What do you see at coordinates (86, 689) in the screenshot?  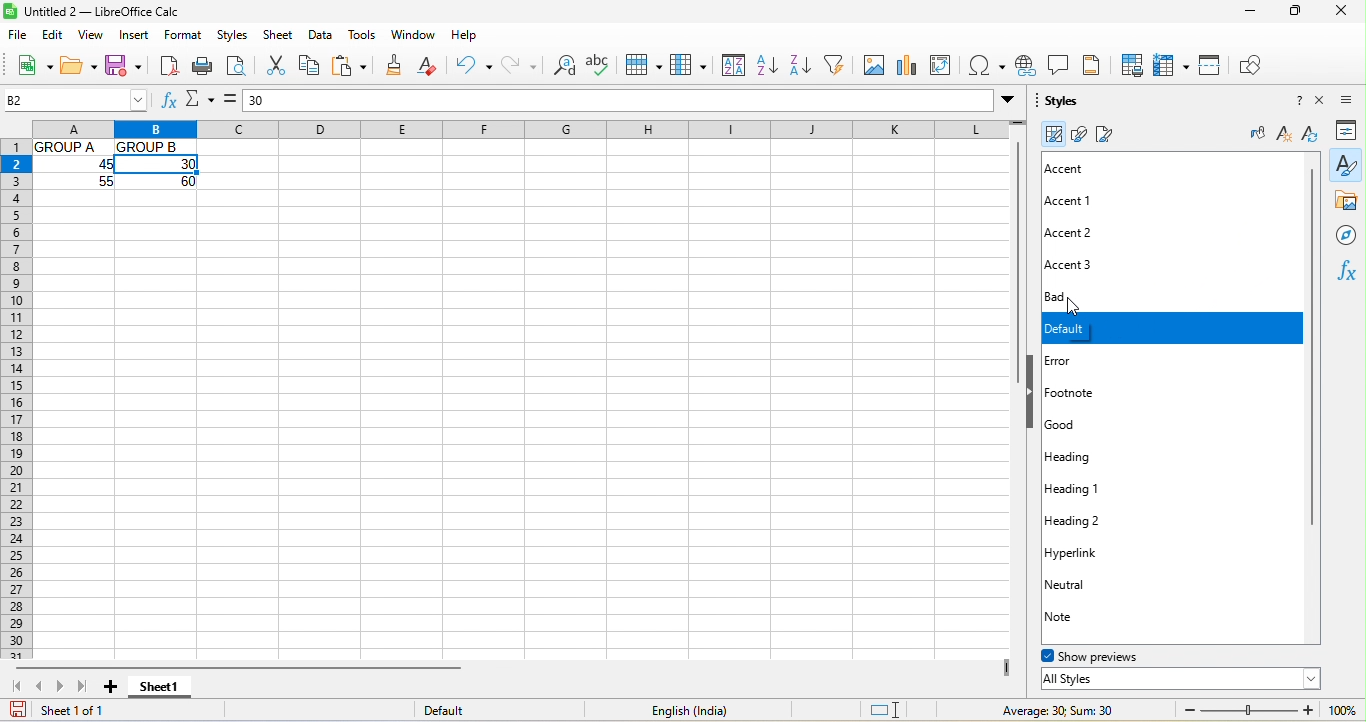 I see `last sheet` at bounding box center [86, 689].